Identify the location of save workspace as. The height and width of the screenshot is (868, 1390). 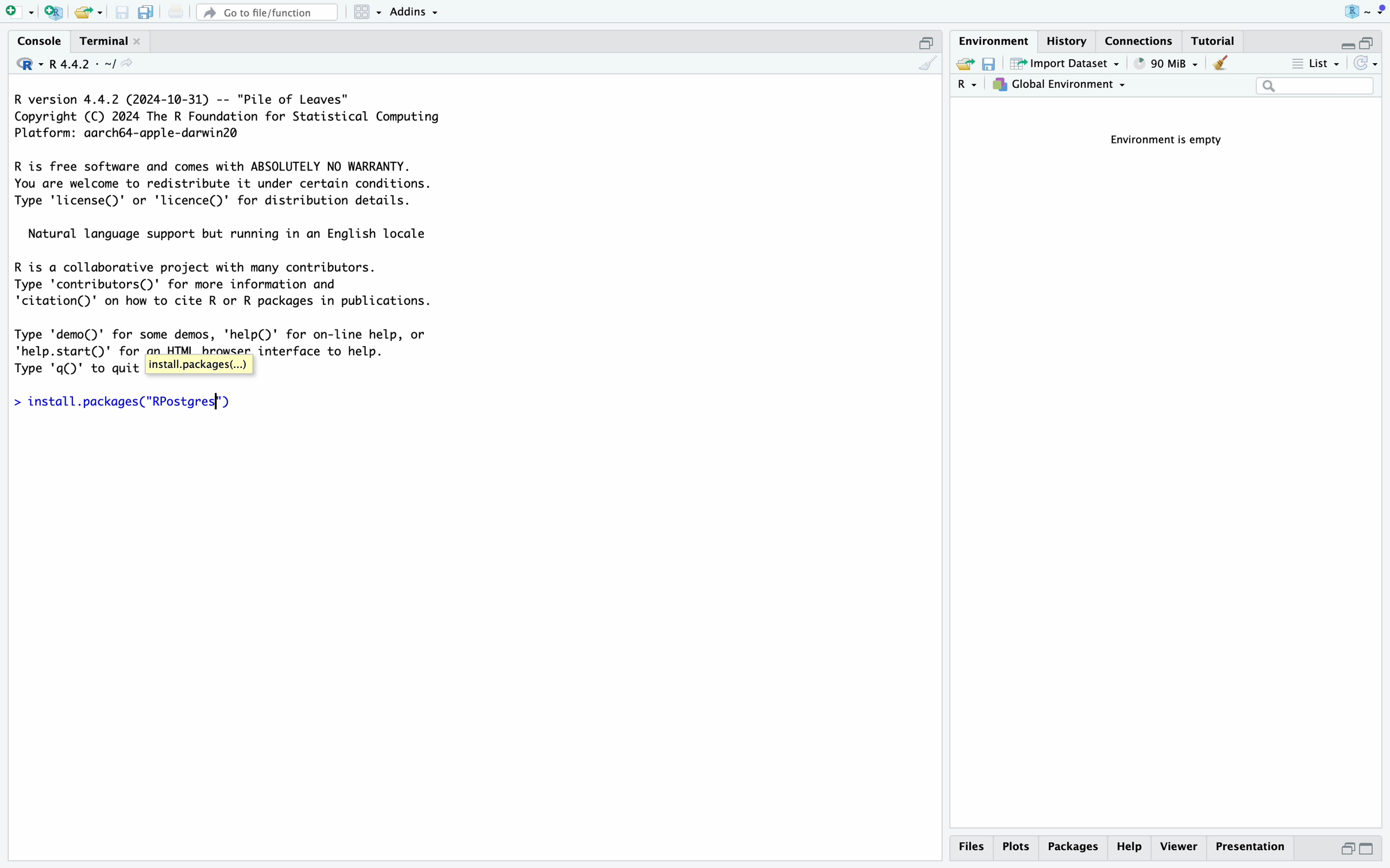
(993, 65).